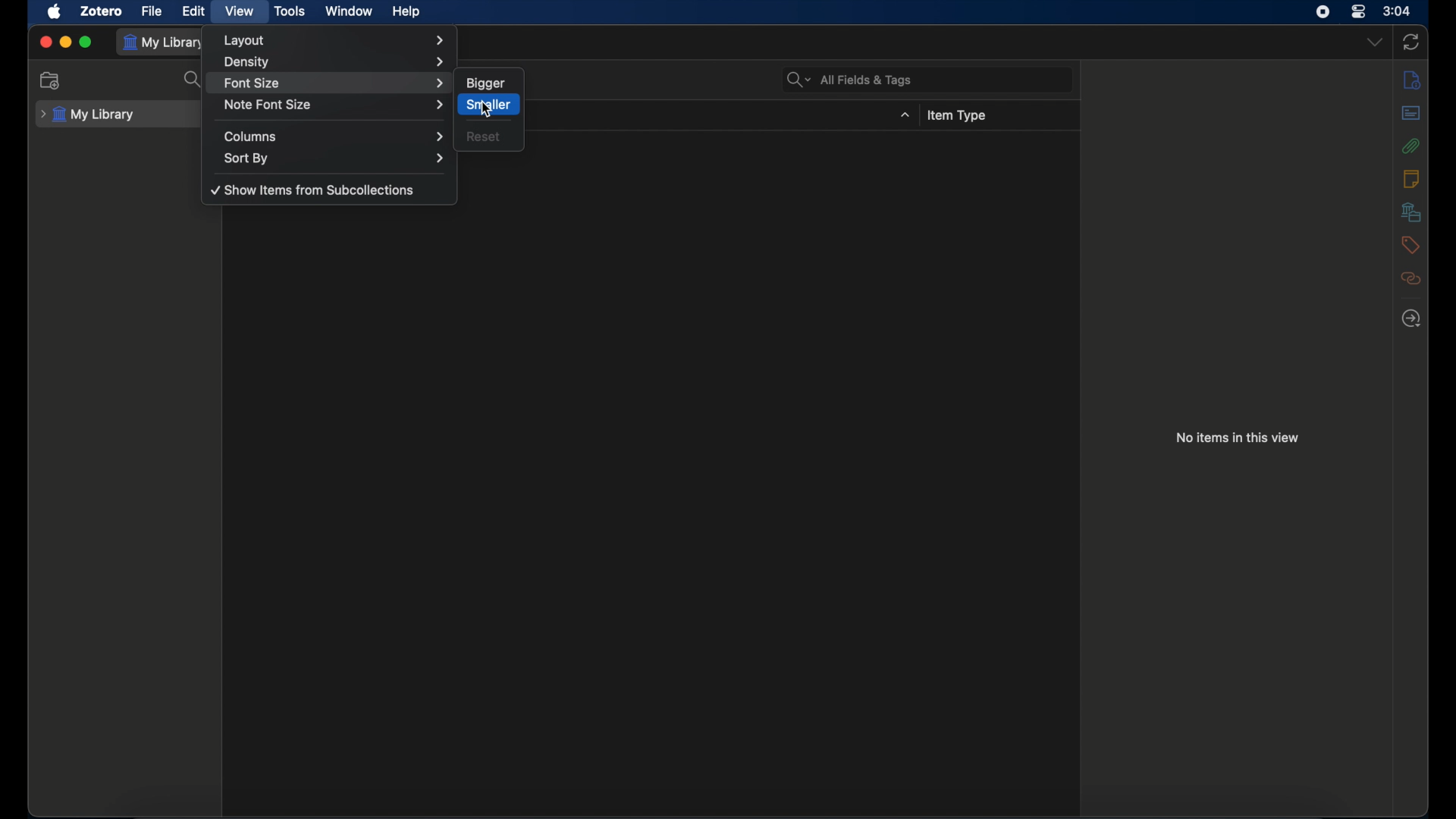 The image size is (1456, 819). What do you see at coordinates (335, 62) in the screenshot?
I see `density` at bounding box center [335, 62].